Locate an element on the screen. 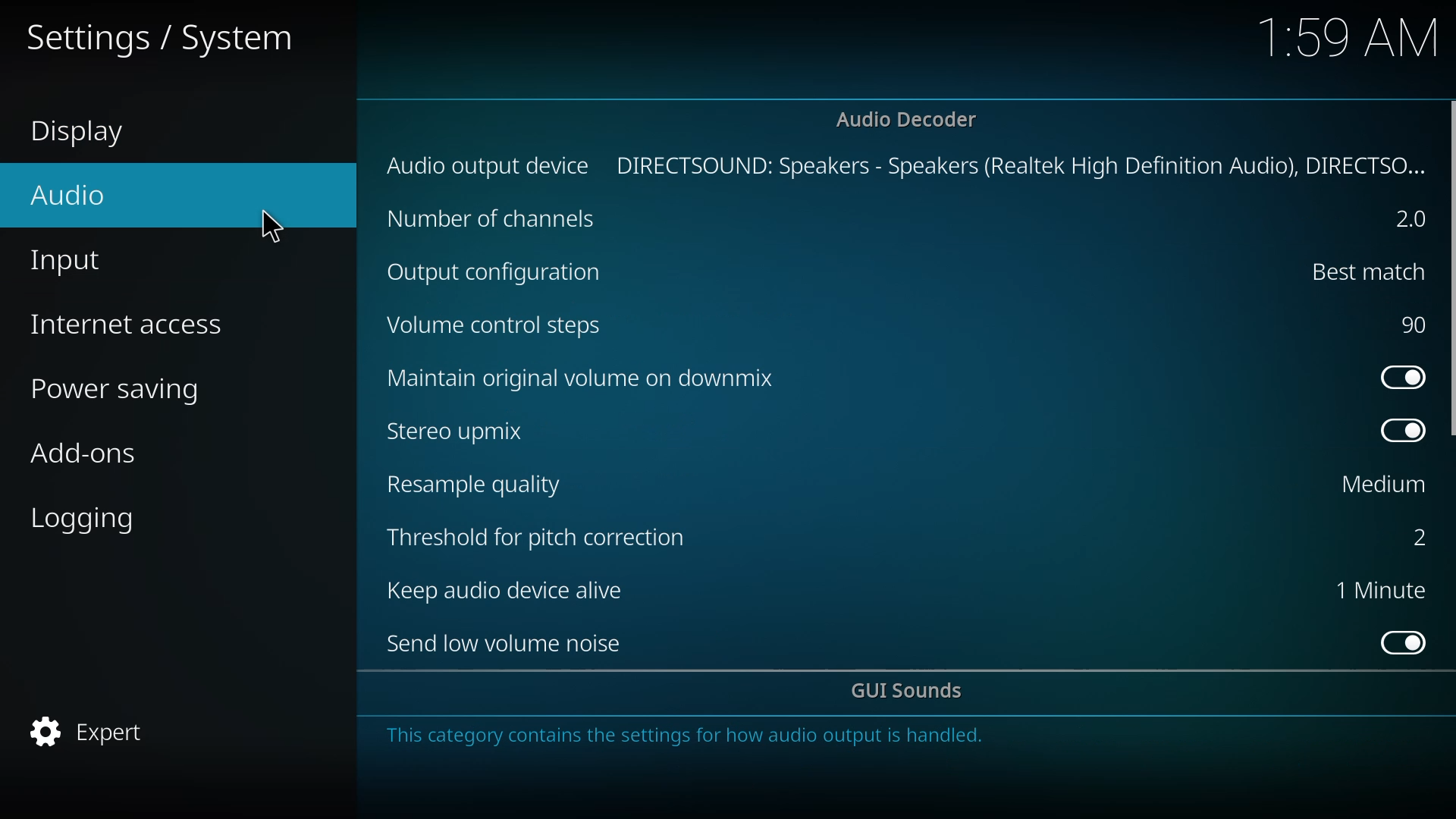 The height and width of the screenshot is (819, 1456). 1 min is located at coordinates (1380, 591).